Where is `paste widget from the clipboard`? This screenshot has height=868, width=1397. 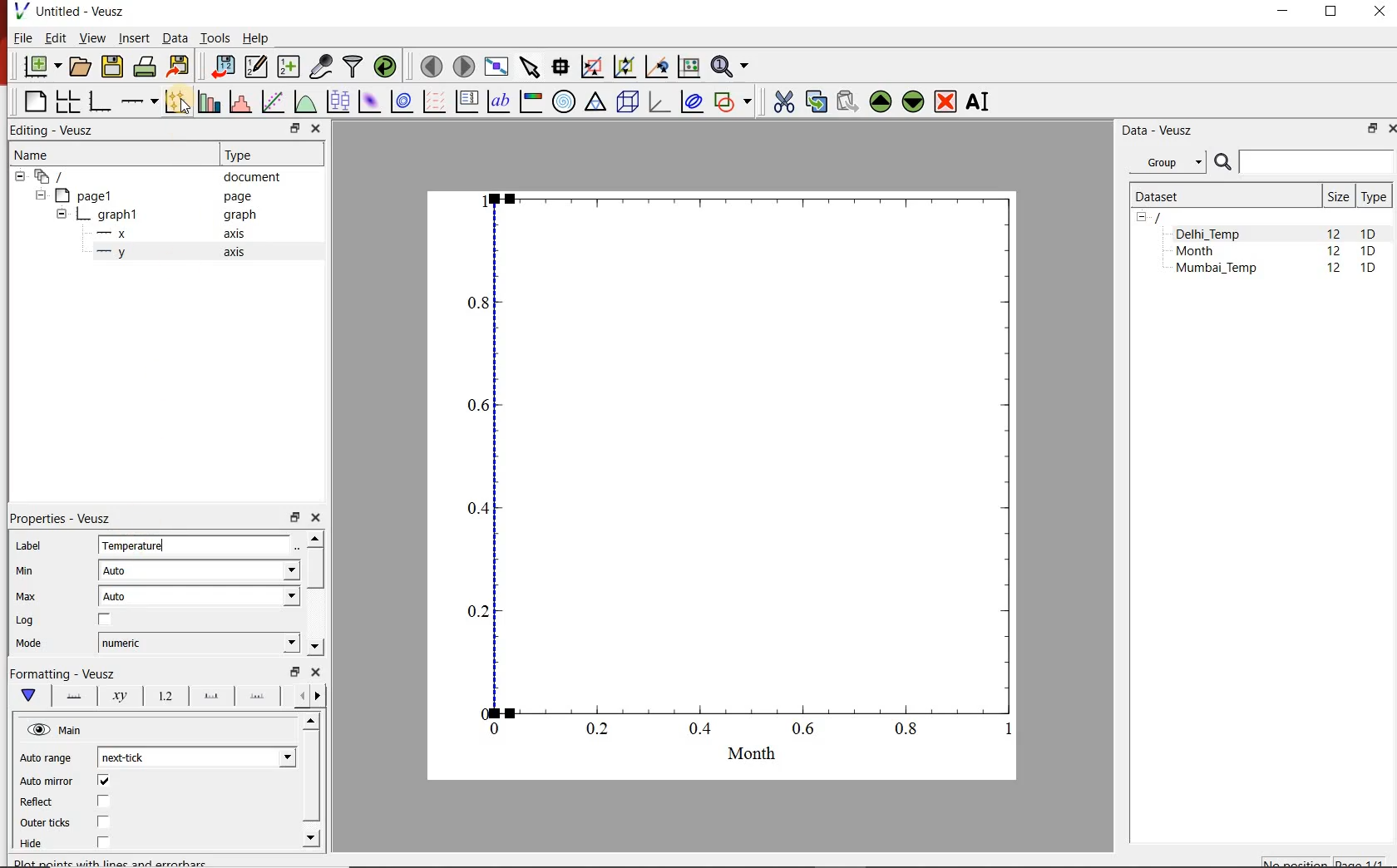
paste widget from the clipboard is located at coordinates (848, 101).